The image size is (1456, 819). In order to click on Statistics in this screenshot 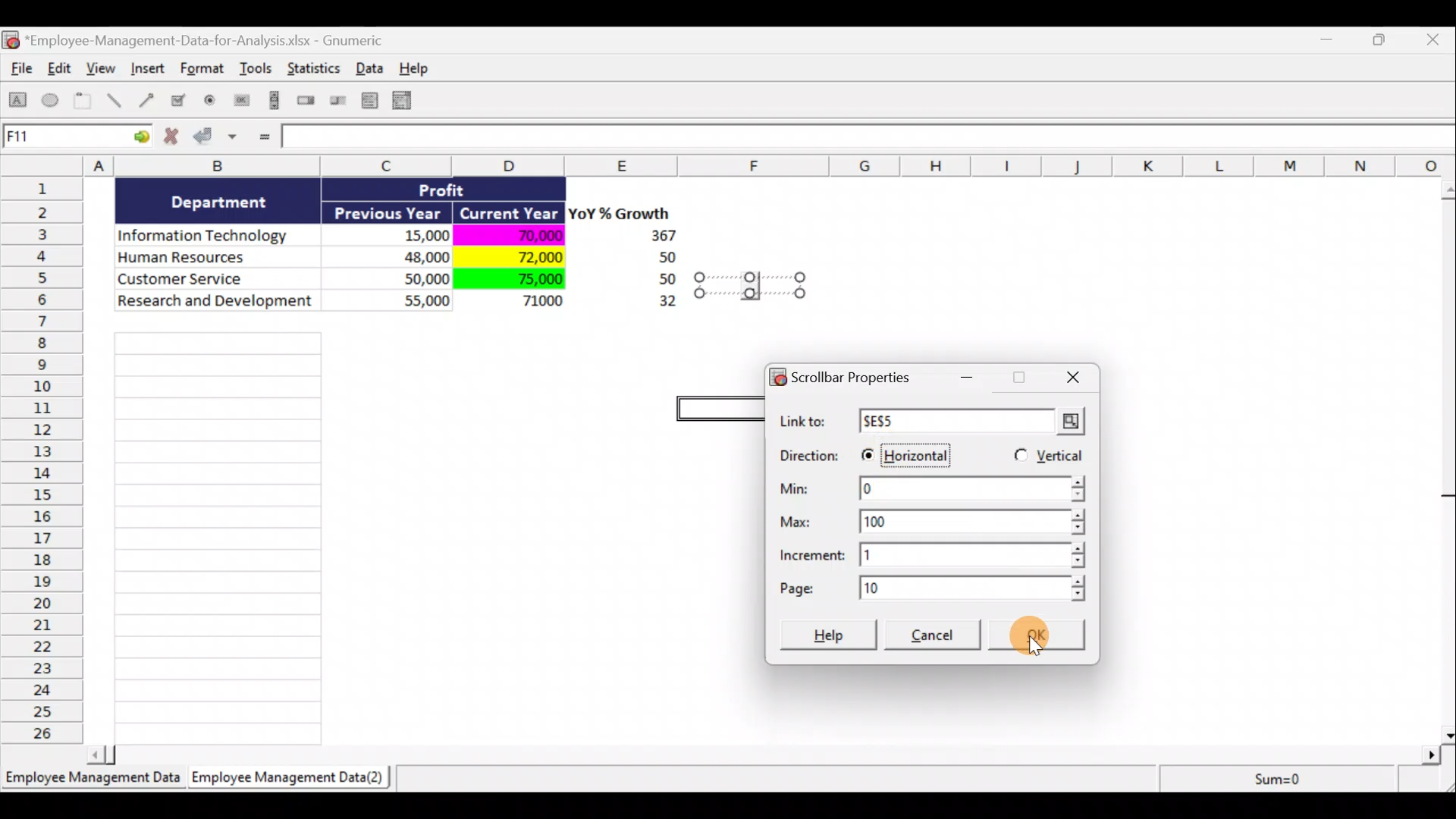, I will do `click(315, 73)`.